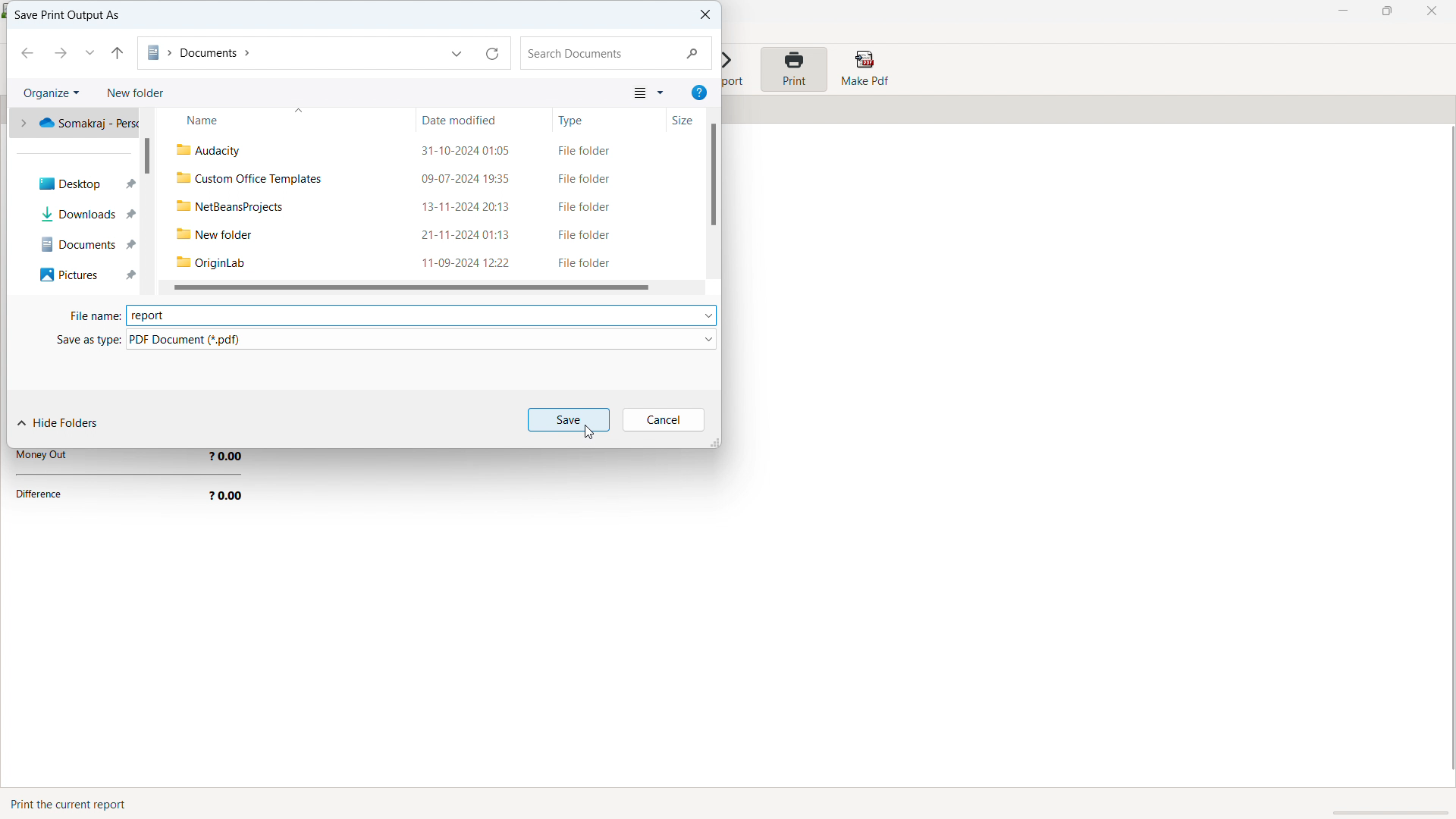  What do you see at coordinates (713, 174) in the screenshot?
I see `vertical scrollbar` at bounding box center [713, 174].